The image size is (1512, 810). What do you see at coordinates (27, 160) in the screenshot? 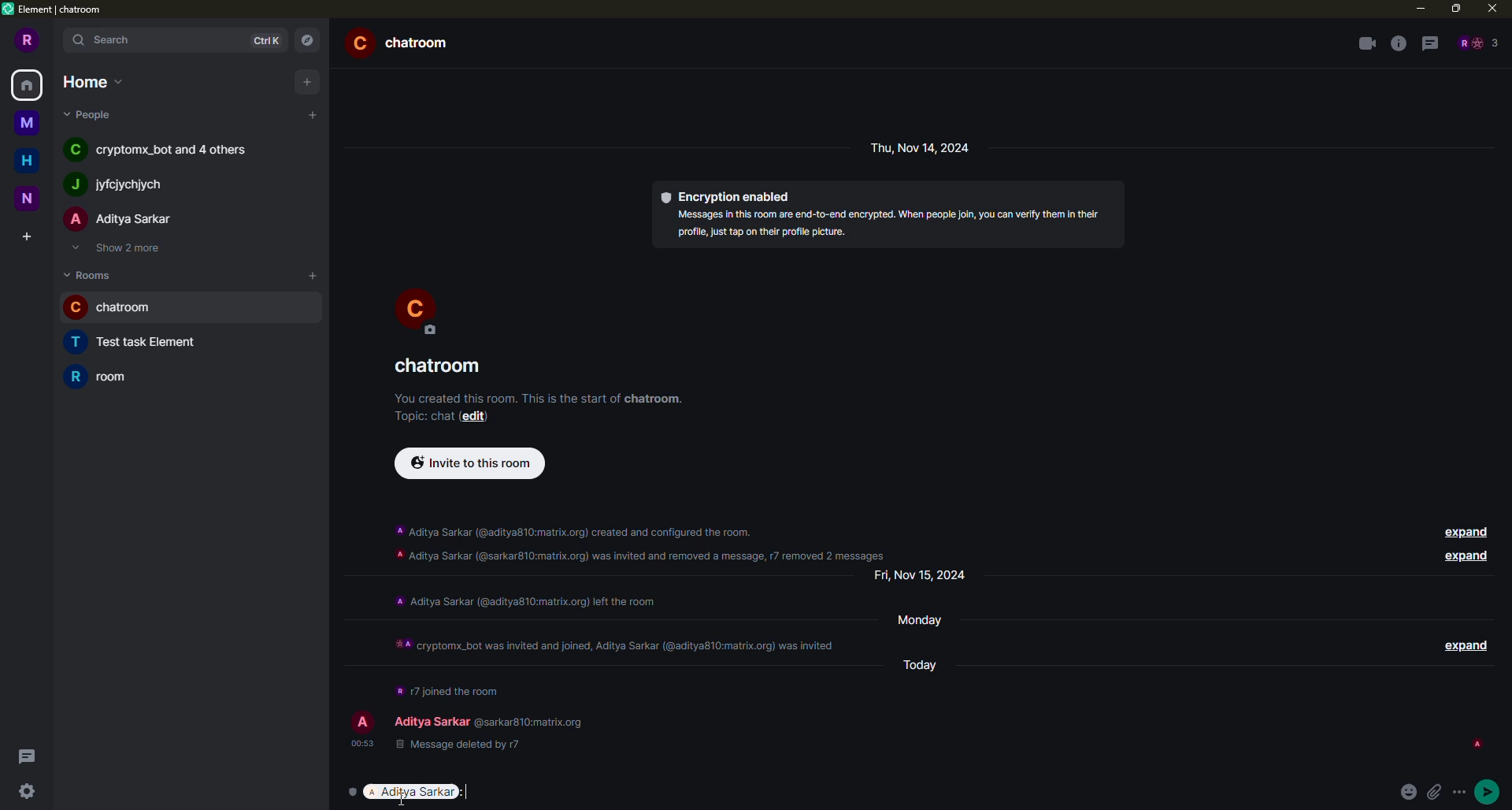
I see `home` at bounding box center [27, 160].